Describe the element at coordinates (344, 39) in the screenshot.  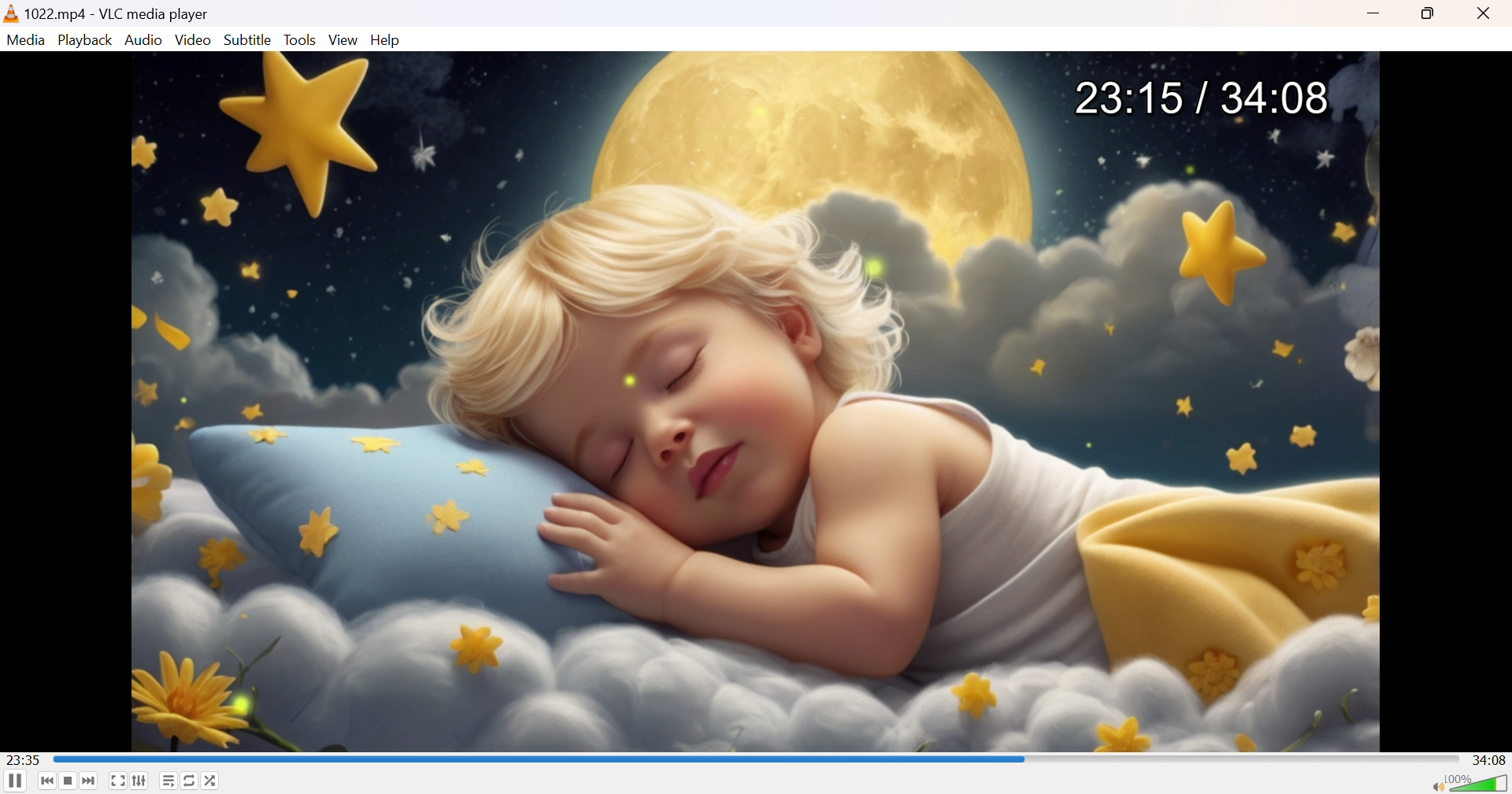
I see `View` at that location.